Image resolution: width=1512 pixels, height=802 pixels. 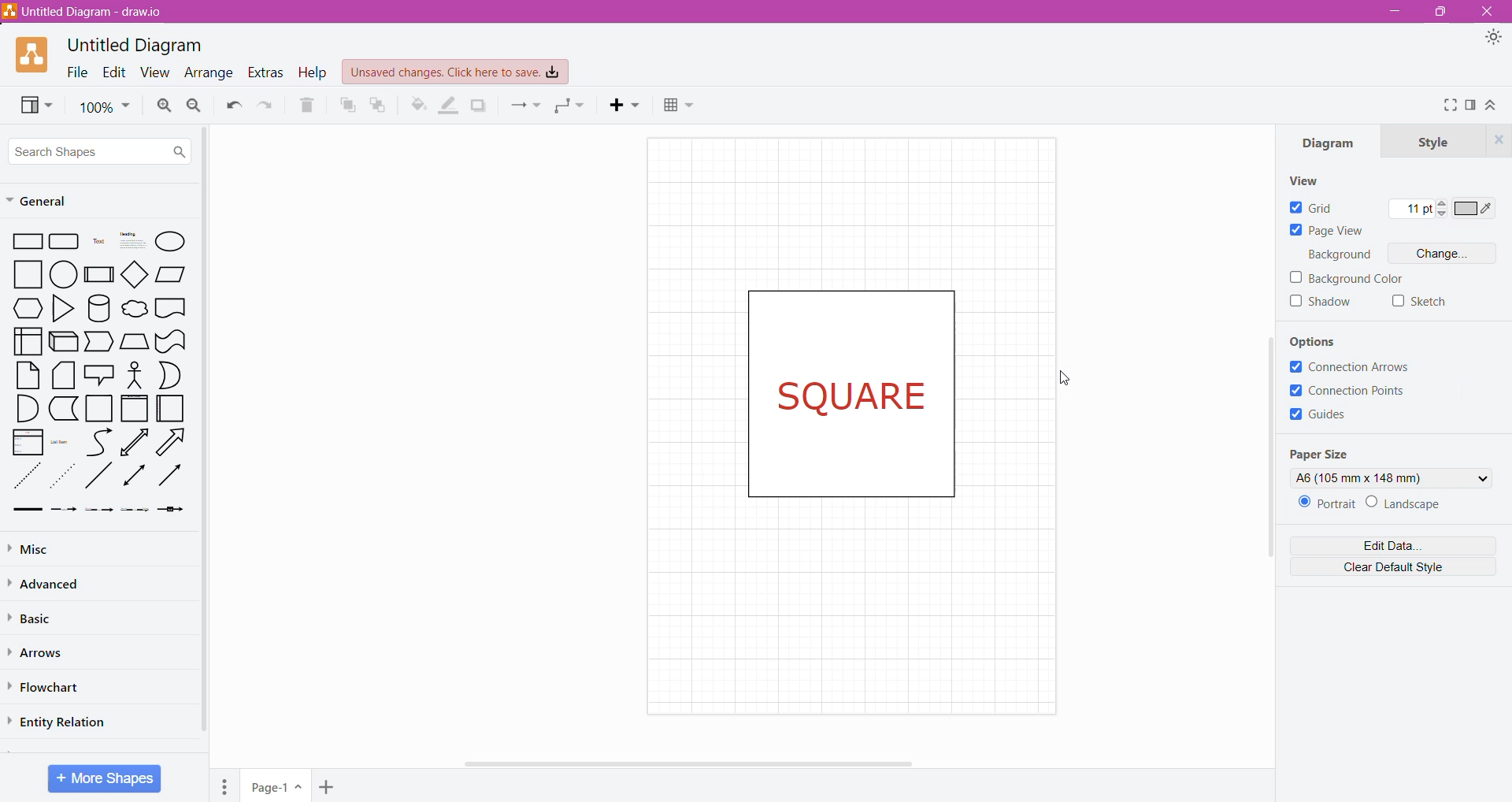 What do you see at coordinates (171, 474) in the screenshot?
I see `Rightward Thick Arrow` at bounding box center [171, 474].